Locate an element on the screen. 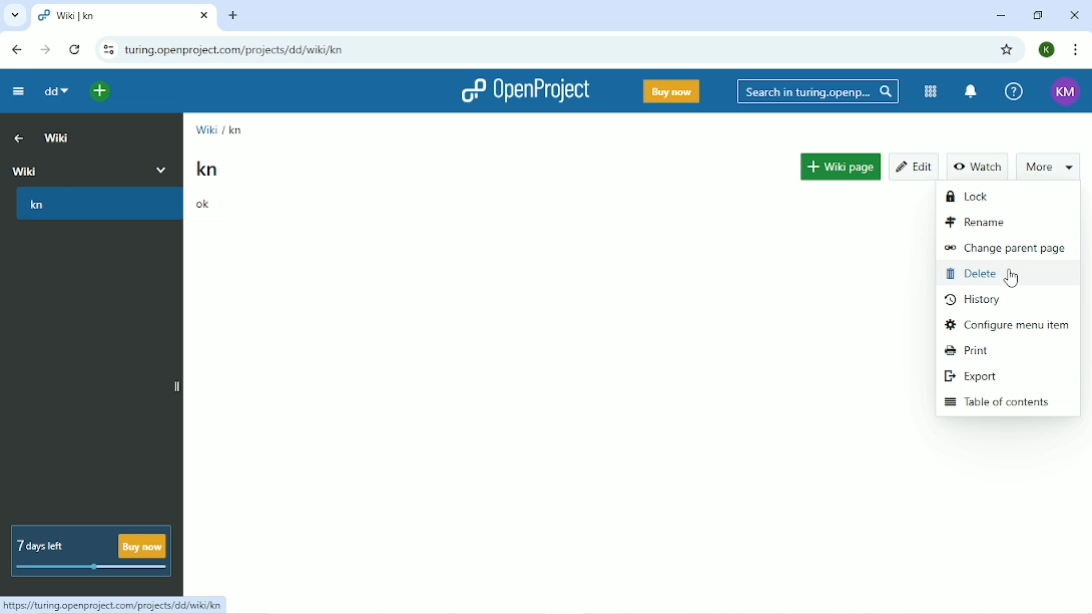 The height and width of the screenshot is (614, 1092). Rename is located at coordinates (983, 221).